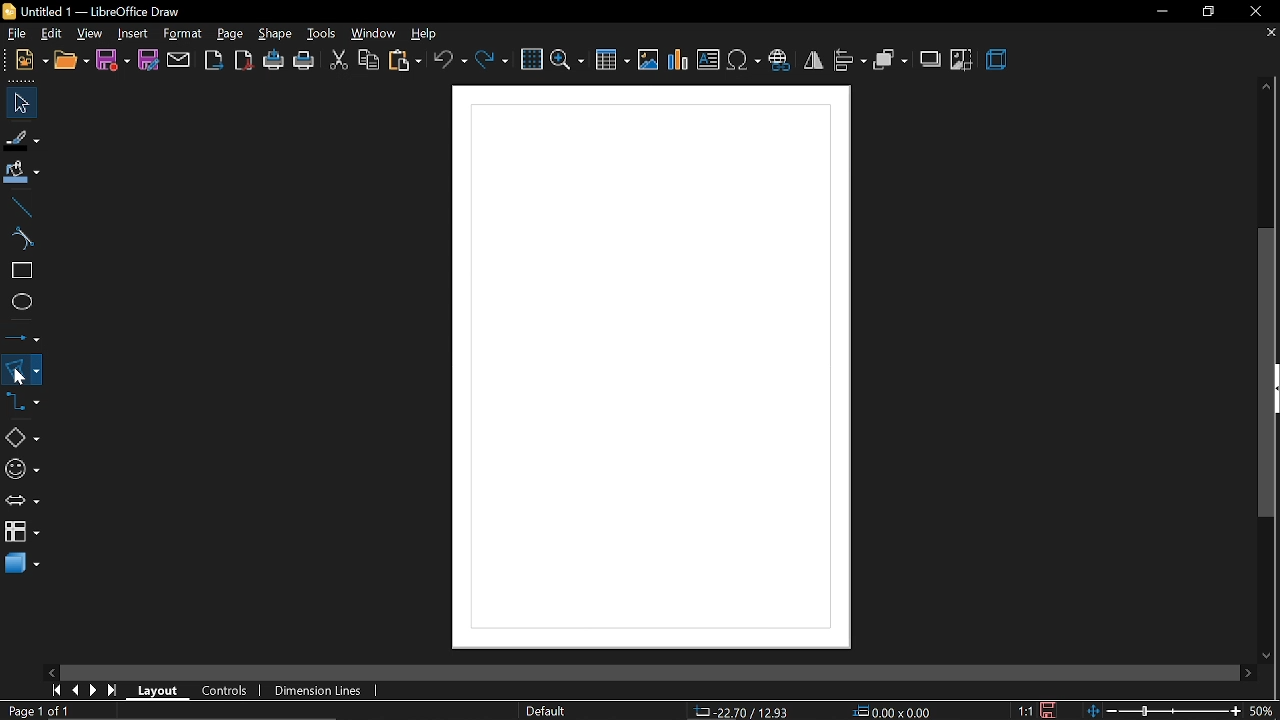 The width and height of the screenshot is (1280, 720). Describe the element at coordinates (532, 60) in the screenshot. I see `grid` at that location.